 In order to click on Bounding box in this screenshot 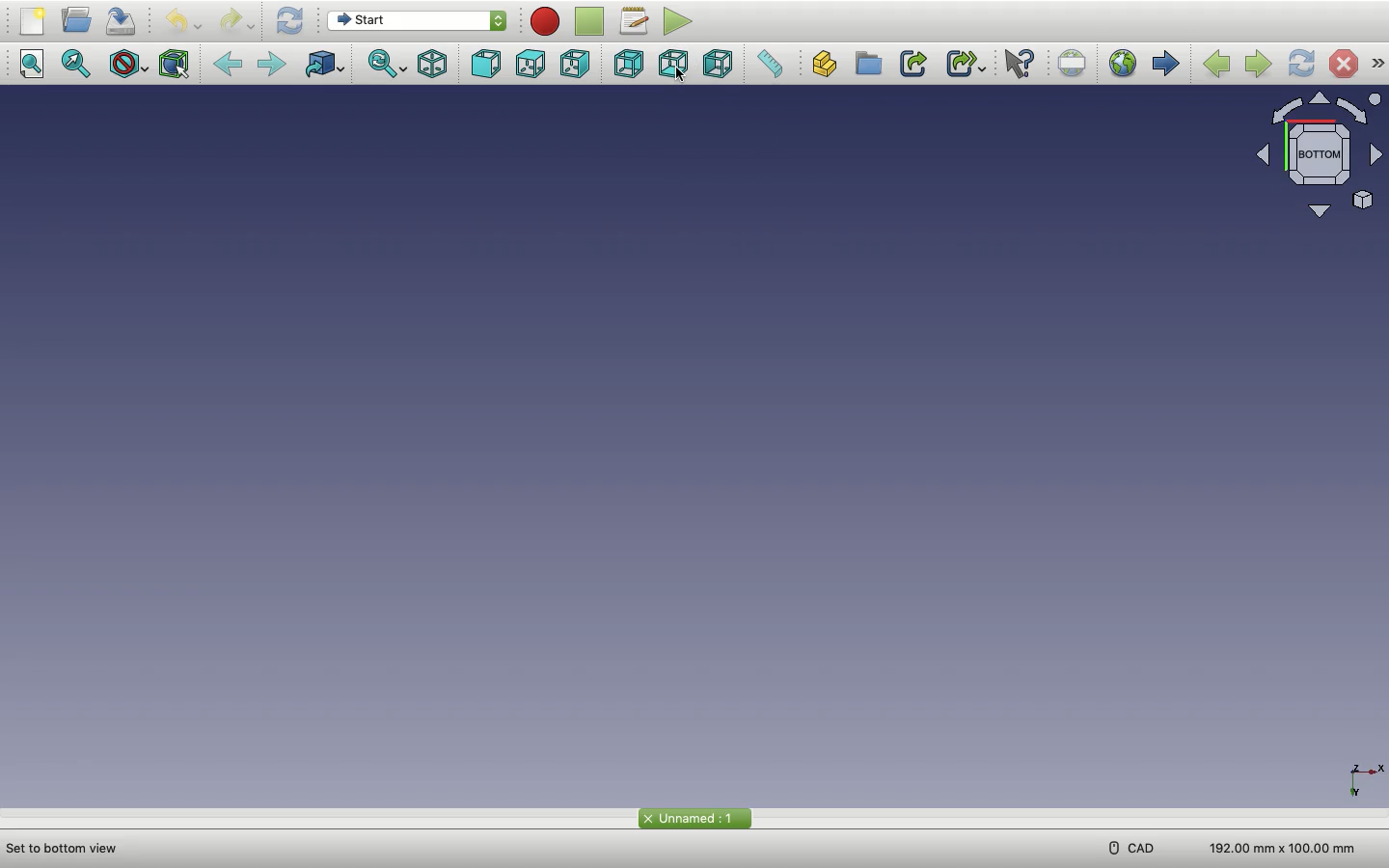, I will do `click(178, 62)`.